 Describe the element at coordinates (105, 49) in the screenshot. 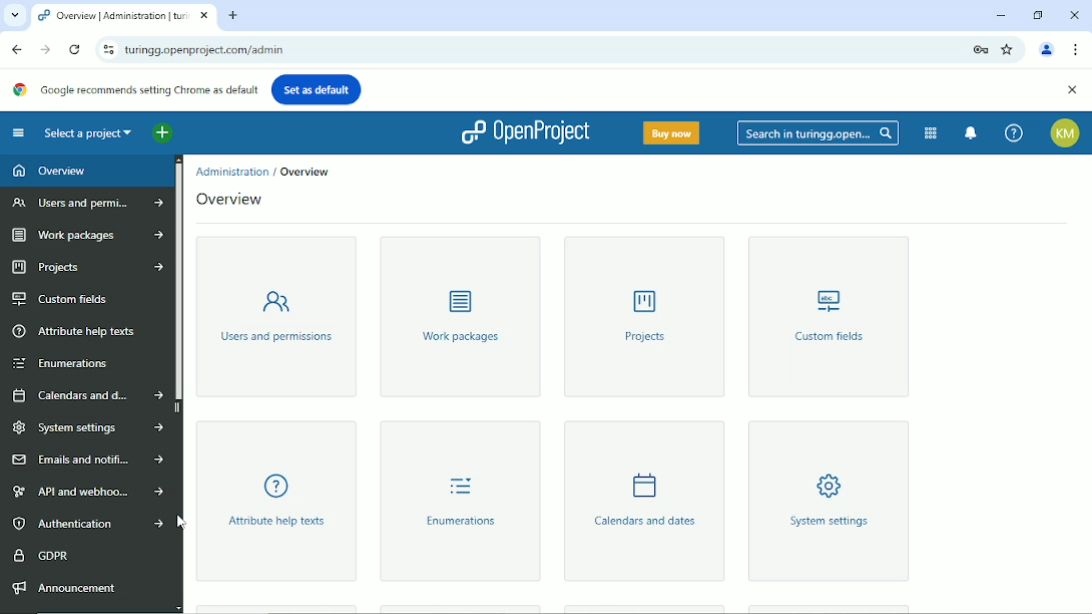

I see `View site information` at that location.